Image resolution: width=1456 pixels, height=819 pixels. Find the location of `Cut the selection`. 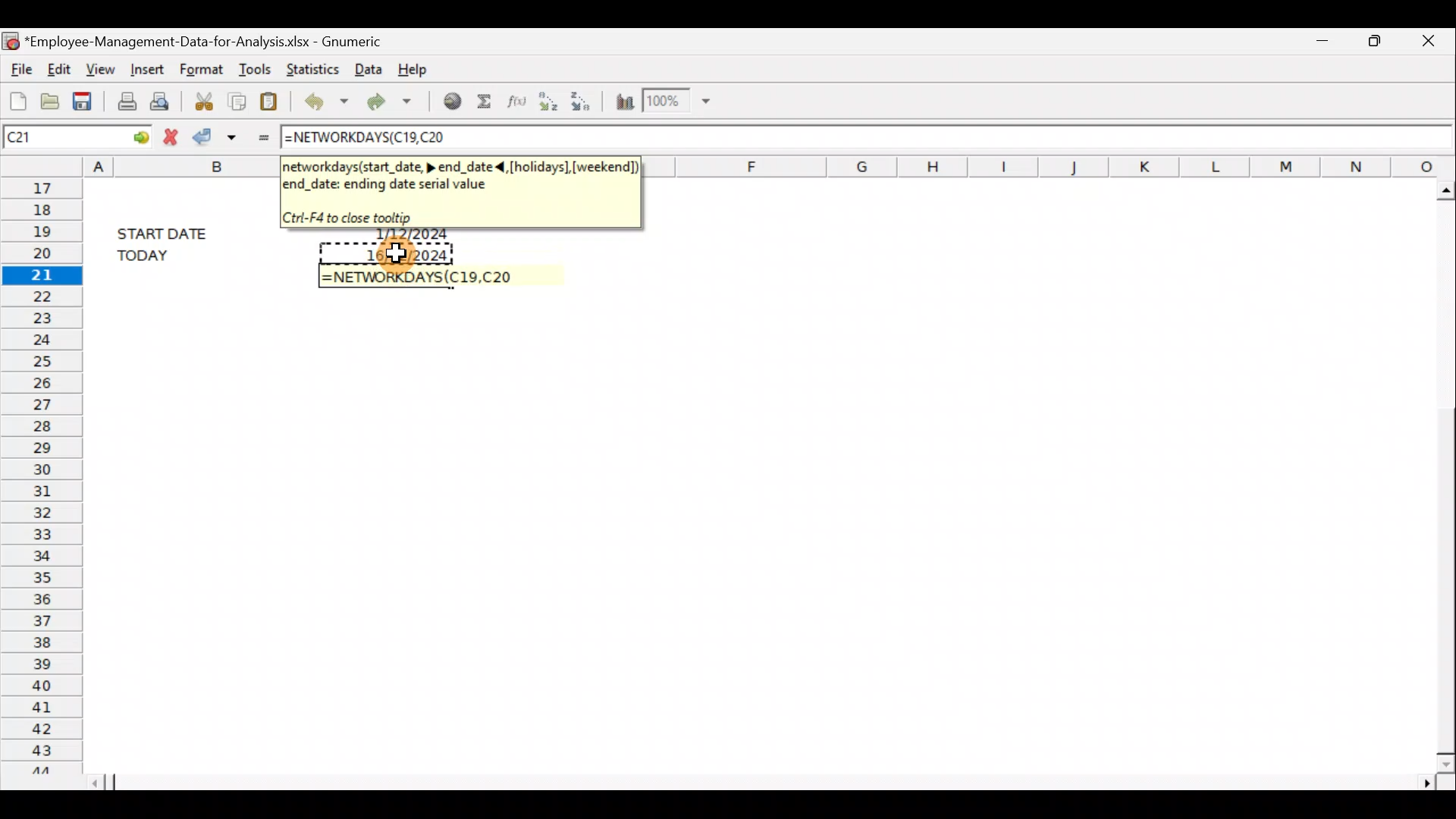

Cut the selection is located at coordinates (204, 99).